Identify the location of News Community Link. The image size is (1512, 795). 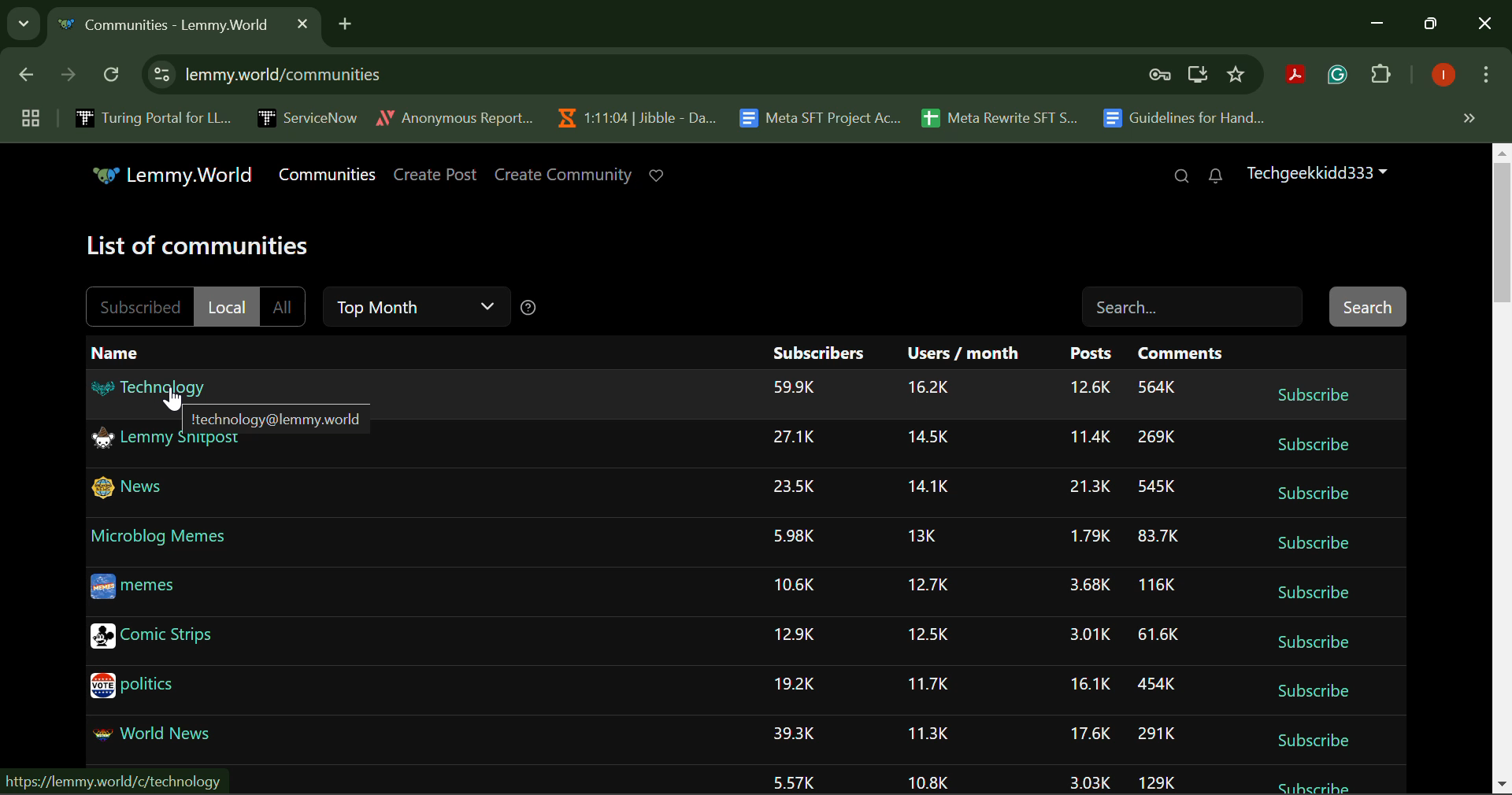
(135, 489).